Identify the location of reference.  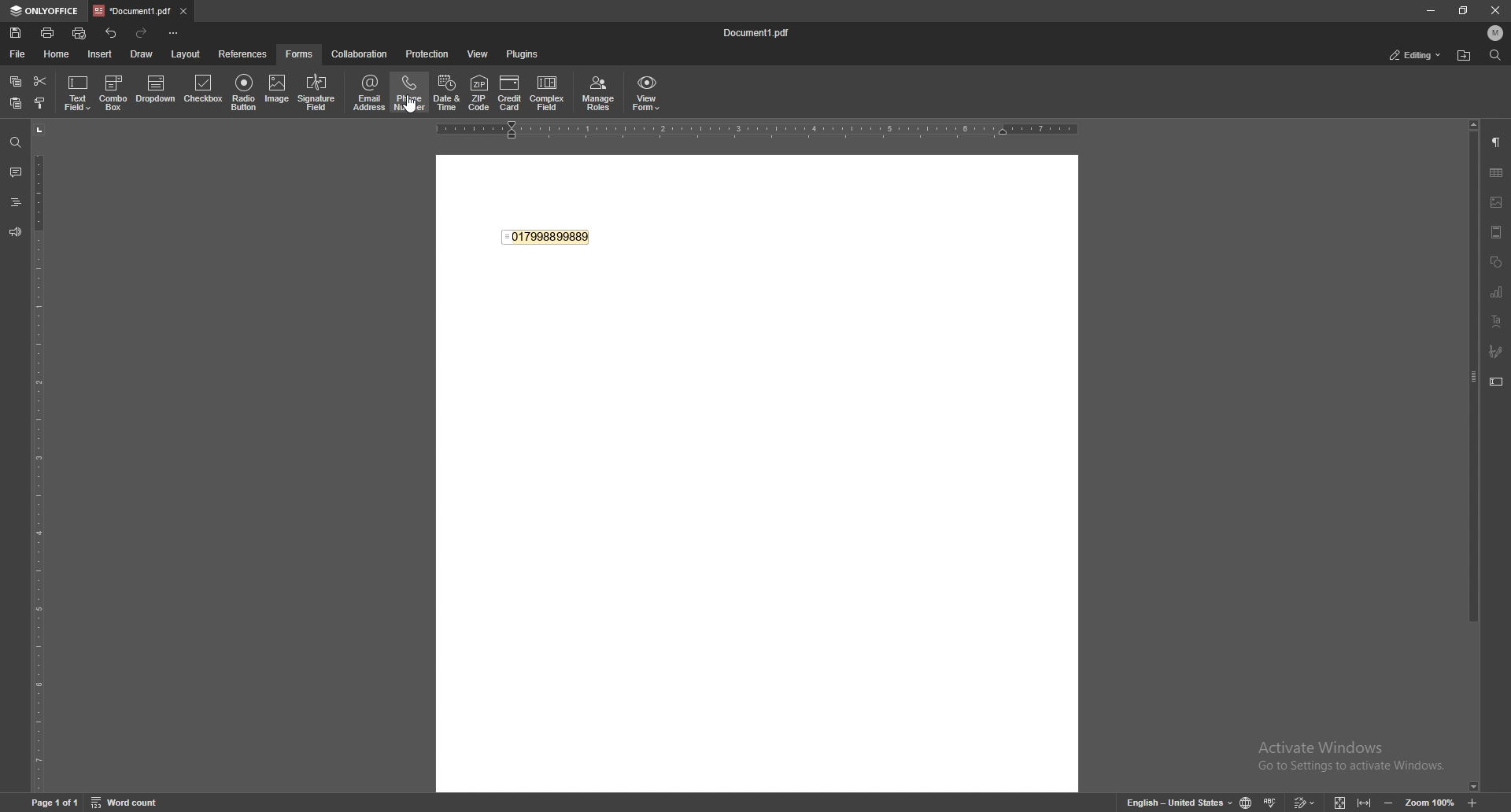
(242, 55).